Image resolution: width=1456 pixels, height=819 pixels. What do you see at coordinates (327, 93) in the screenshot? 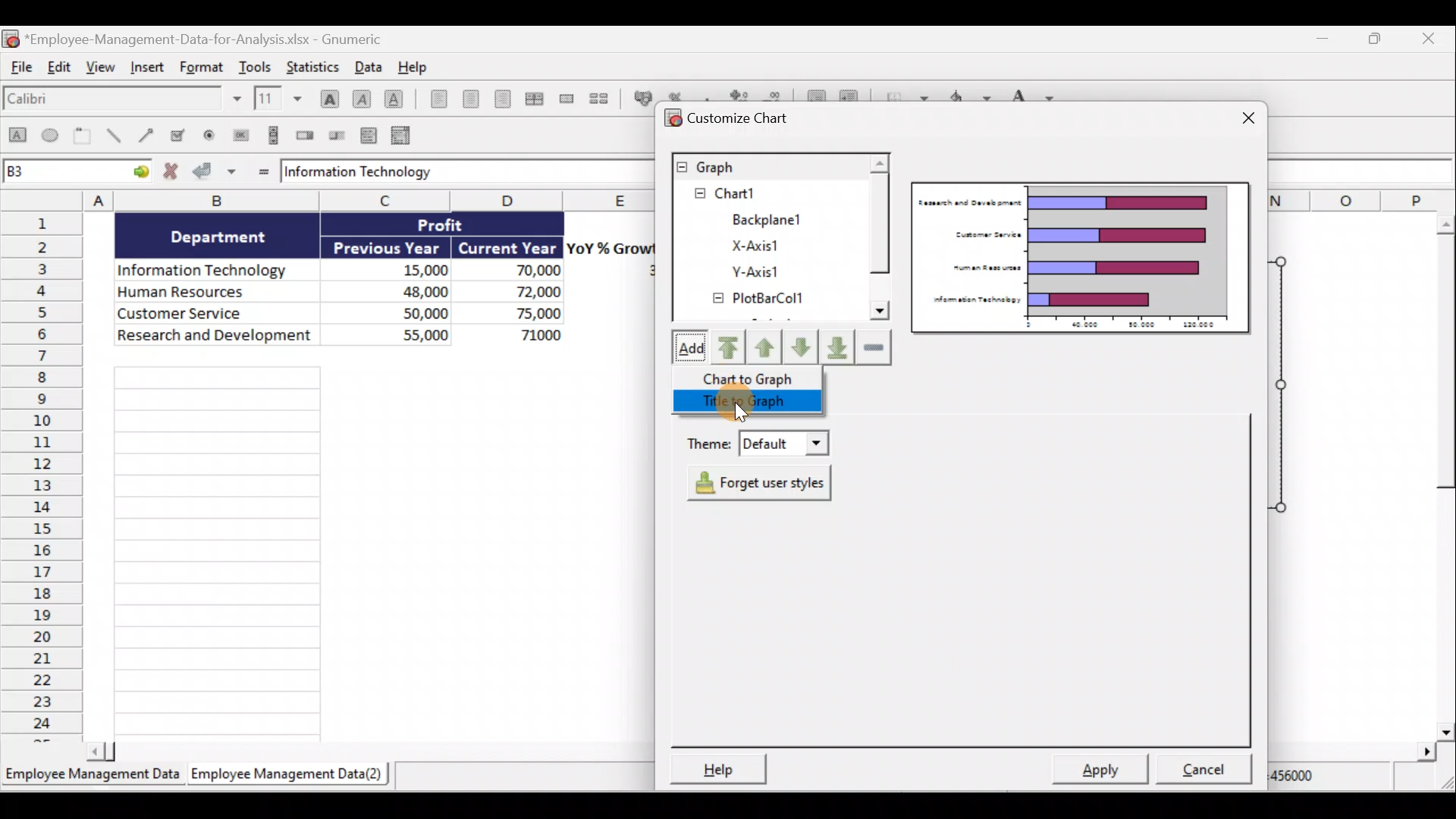
I see `Bold` at bounding box center [327, 93].